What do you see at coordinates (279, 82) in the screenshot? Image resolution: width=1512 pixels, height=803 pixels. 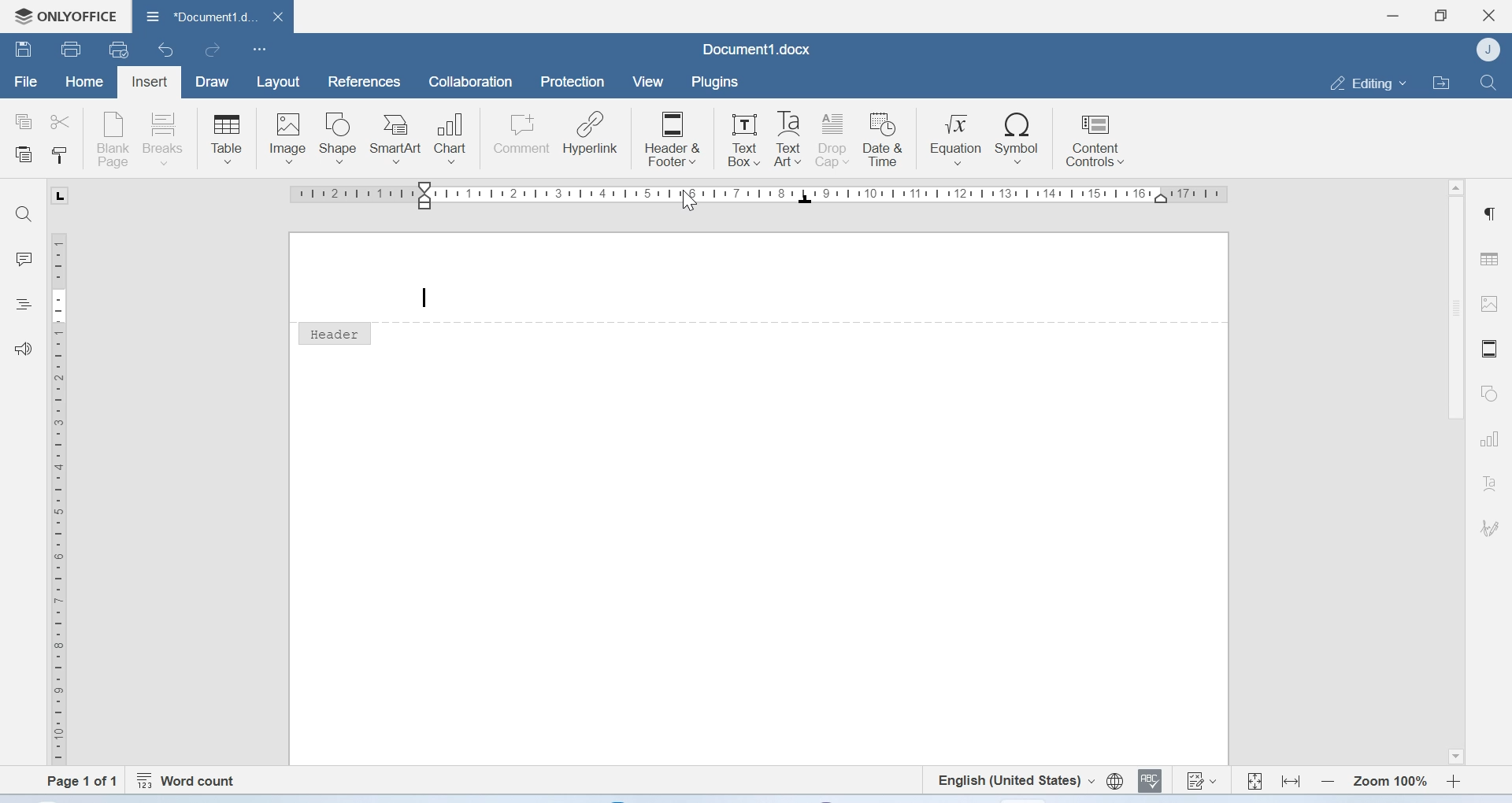 I see `Layout` at bounding box center [279, 82].